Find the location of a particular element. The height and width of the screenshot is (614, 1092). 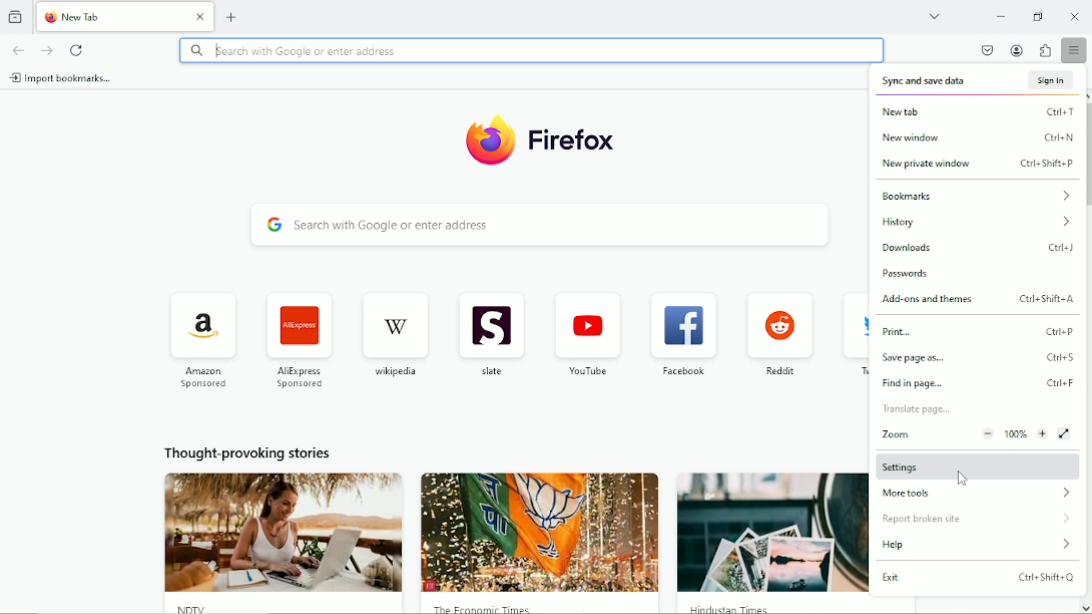

amazon is located at coordinates (204, 382).